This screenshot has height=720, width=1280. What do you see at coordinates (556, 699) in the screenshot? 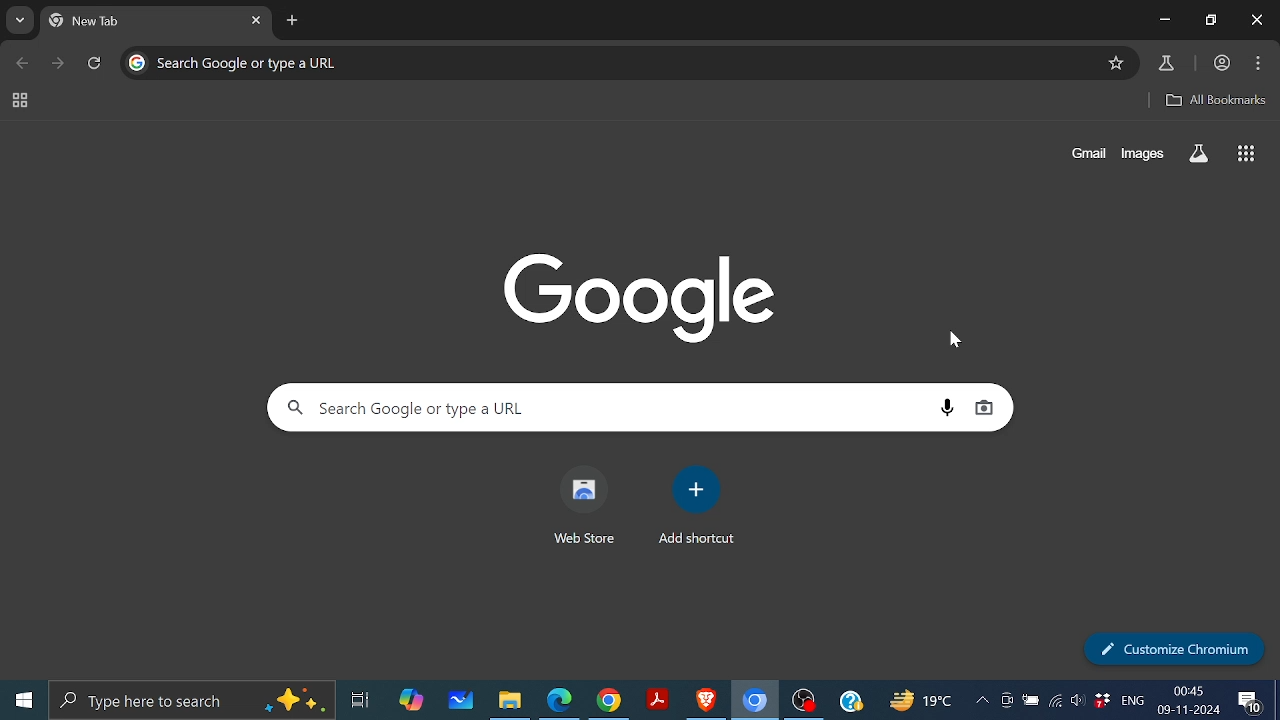
I see `Microsoft edge` at bounding box center [556, 699].